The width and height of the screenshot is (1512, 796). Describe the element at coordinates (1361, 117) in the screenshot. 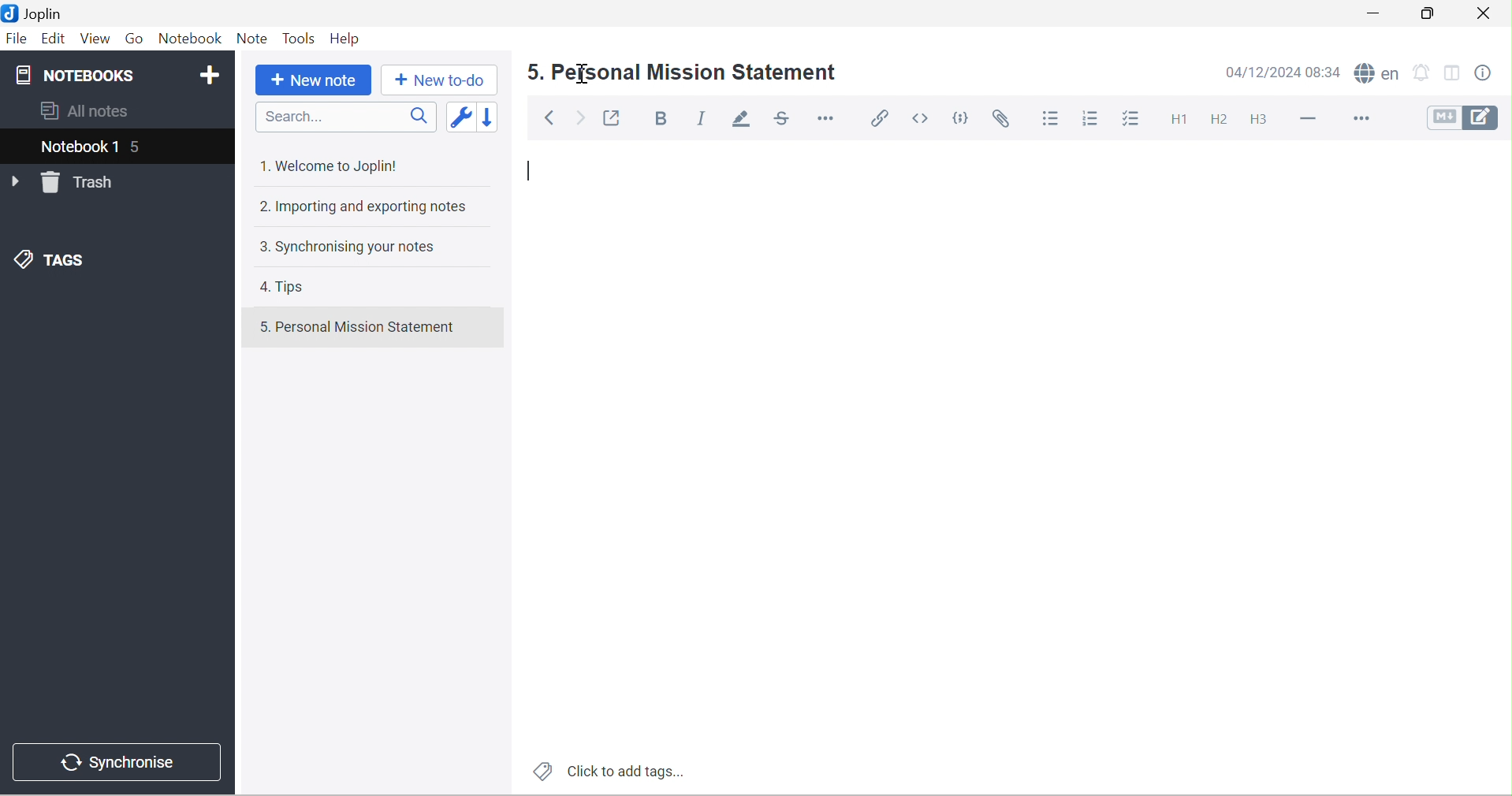

I see `More` at that location.